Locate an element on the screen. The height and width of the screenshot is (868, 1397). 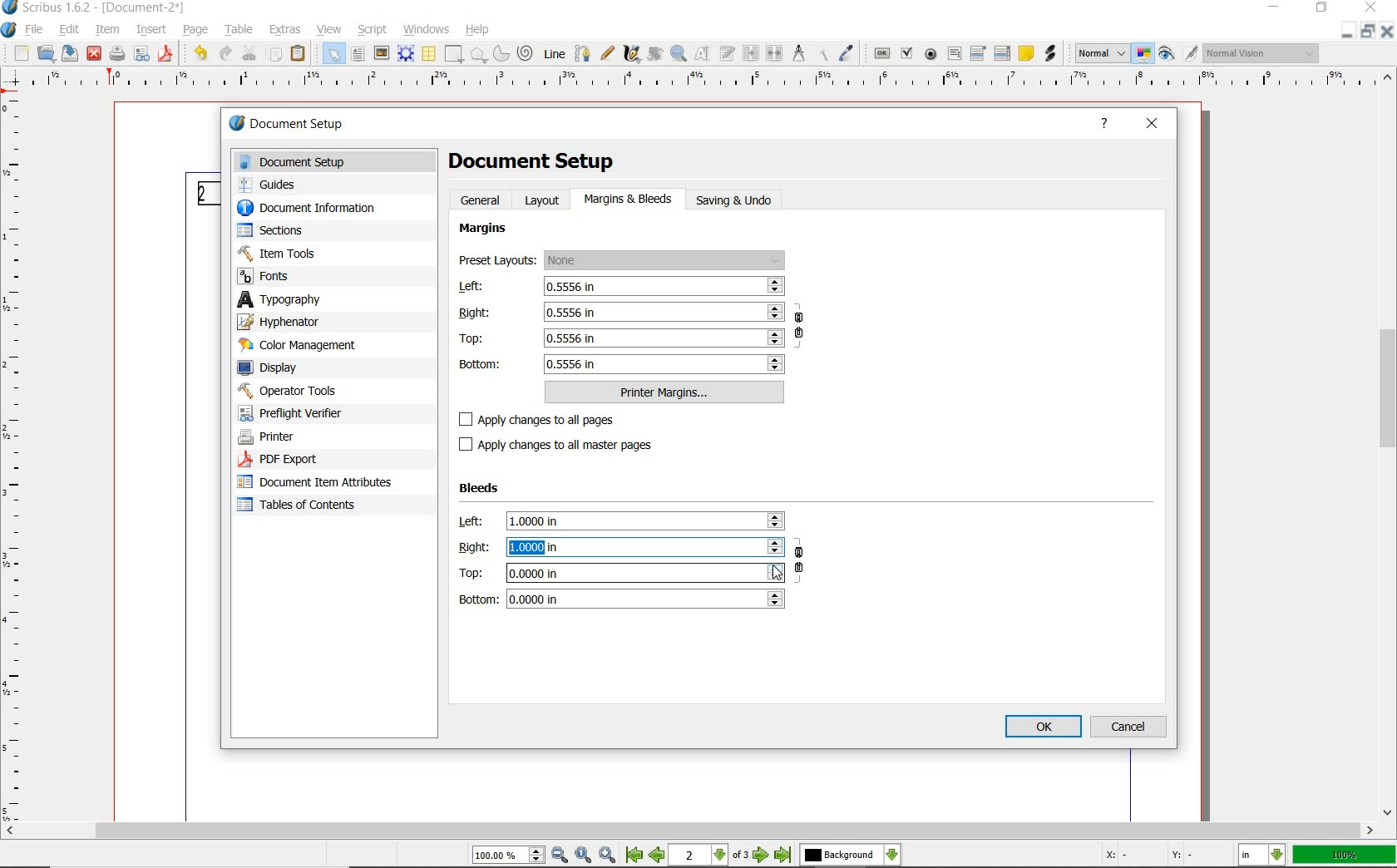
edit is located at coordinates (68, 29).